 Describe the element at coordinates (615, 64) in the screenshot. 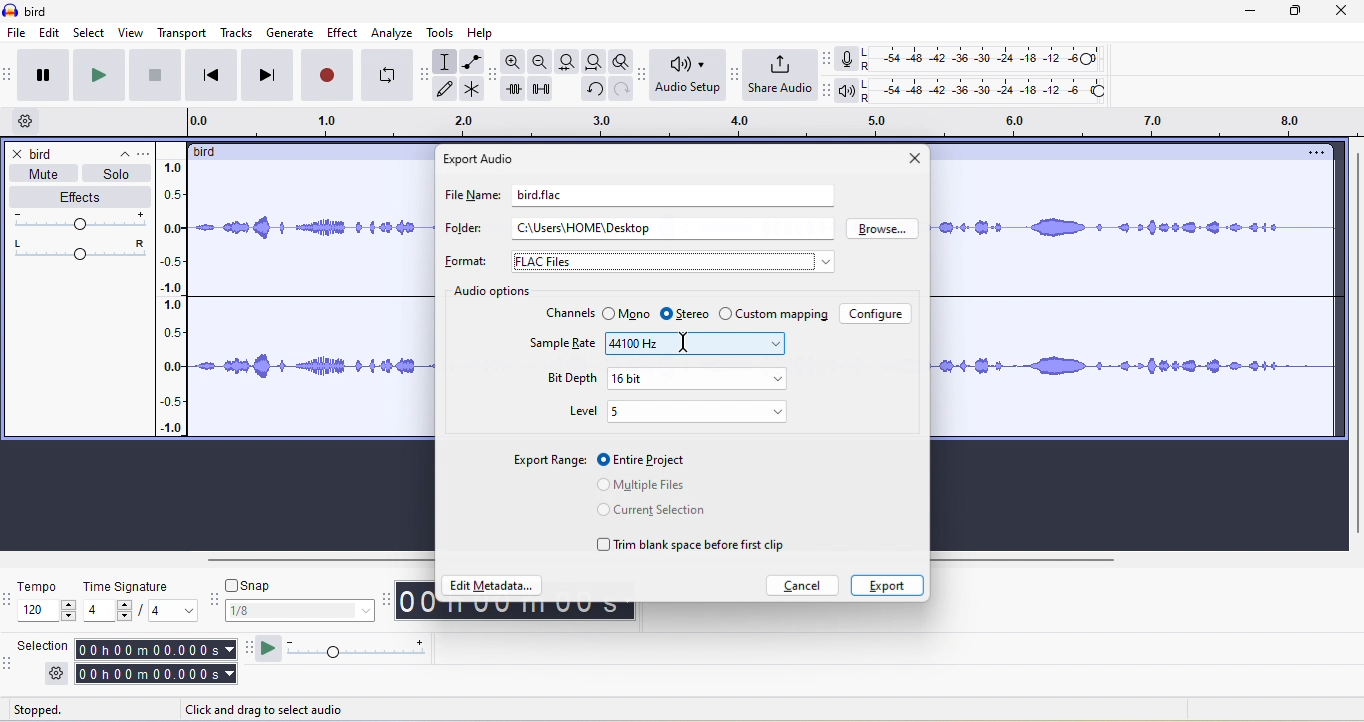

I see `zoom toggle` at that location.